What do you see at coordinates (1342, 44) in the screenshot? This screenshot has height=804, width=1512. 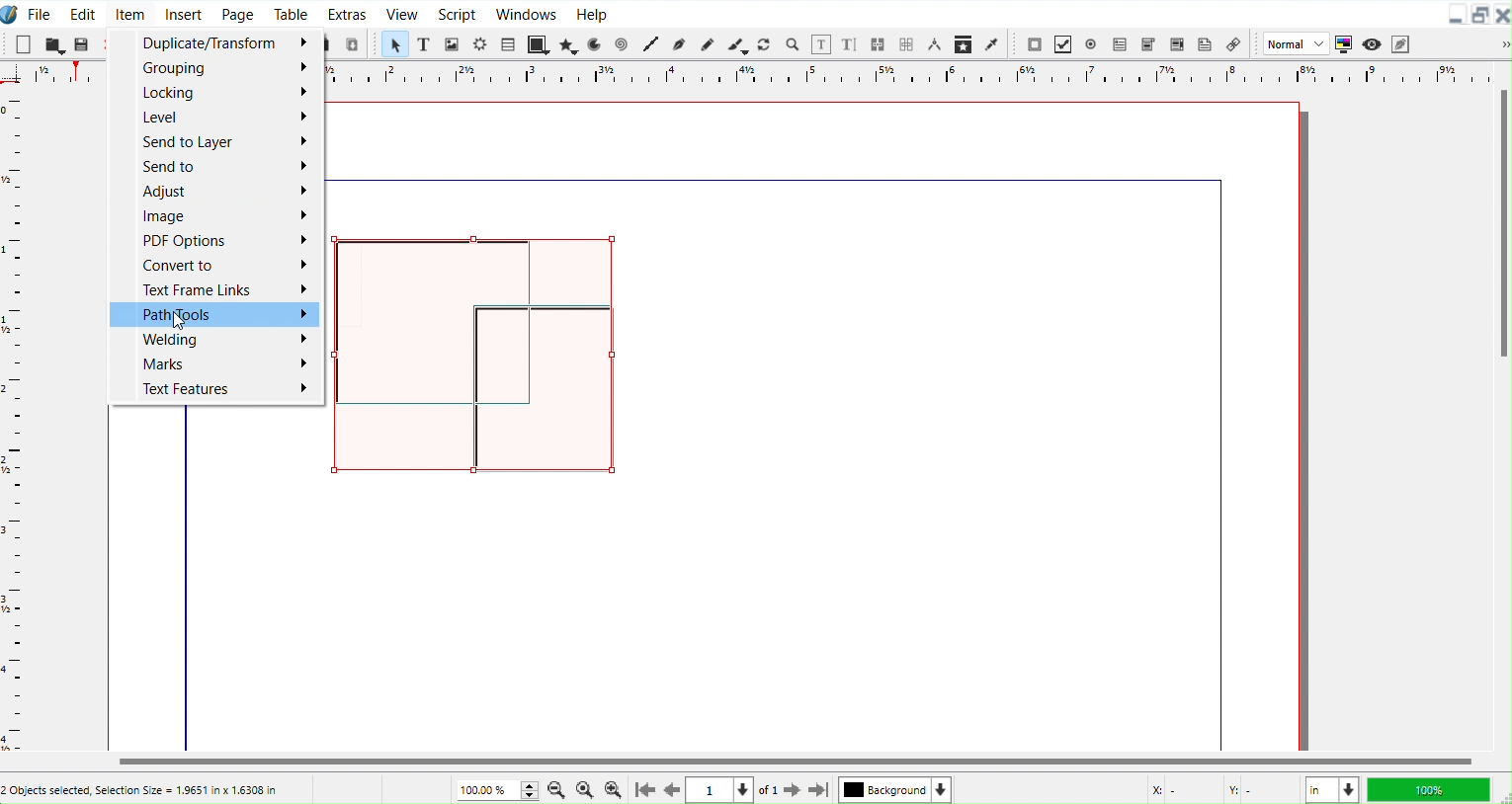 I see `Toggle color` at bounding box center [1342, 44].